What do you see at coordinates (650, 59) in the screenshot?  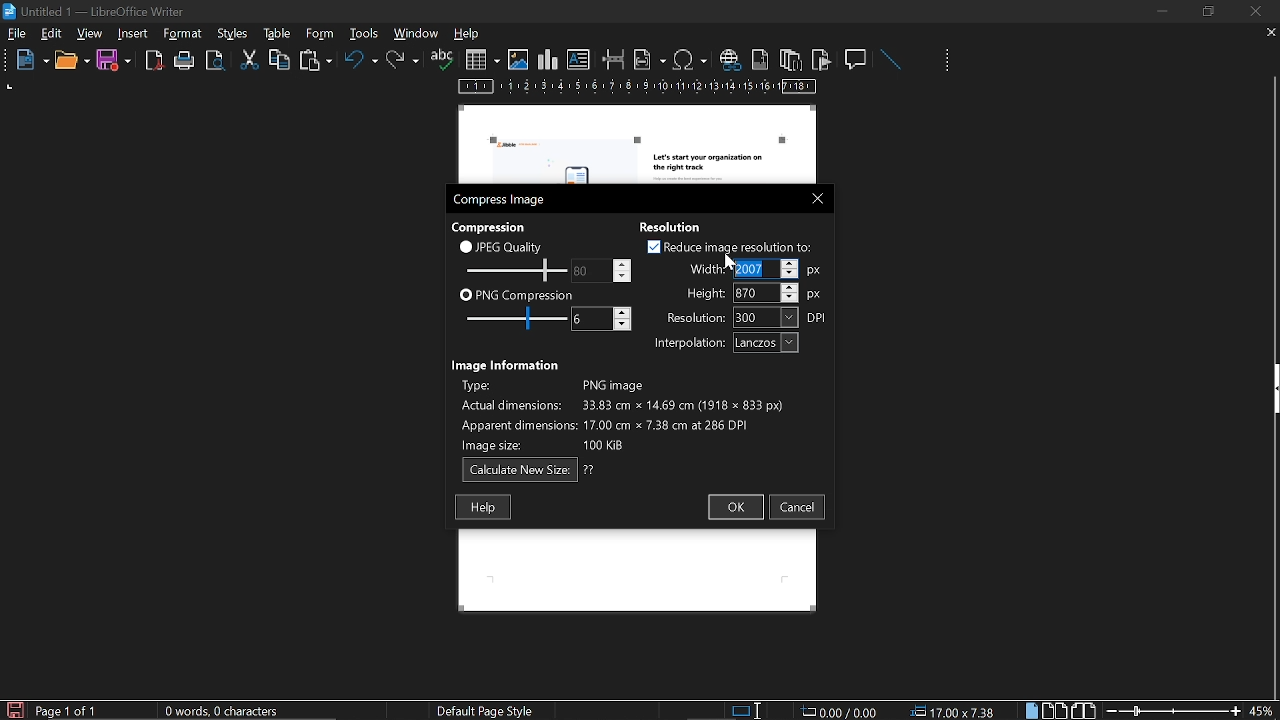 I see `insert field` at bounding box center [650, 59].